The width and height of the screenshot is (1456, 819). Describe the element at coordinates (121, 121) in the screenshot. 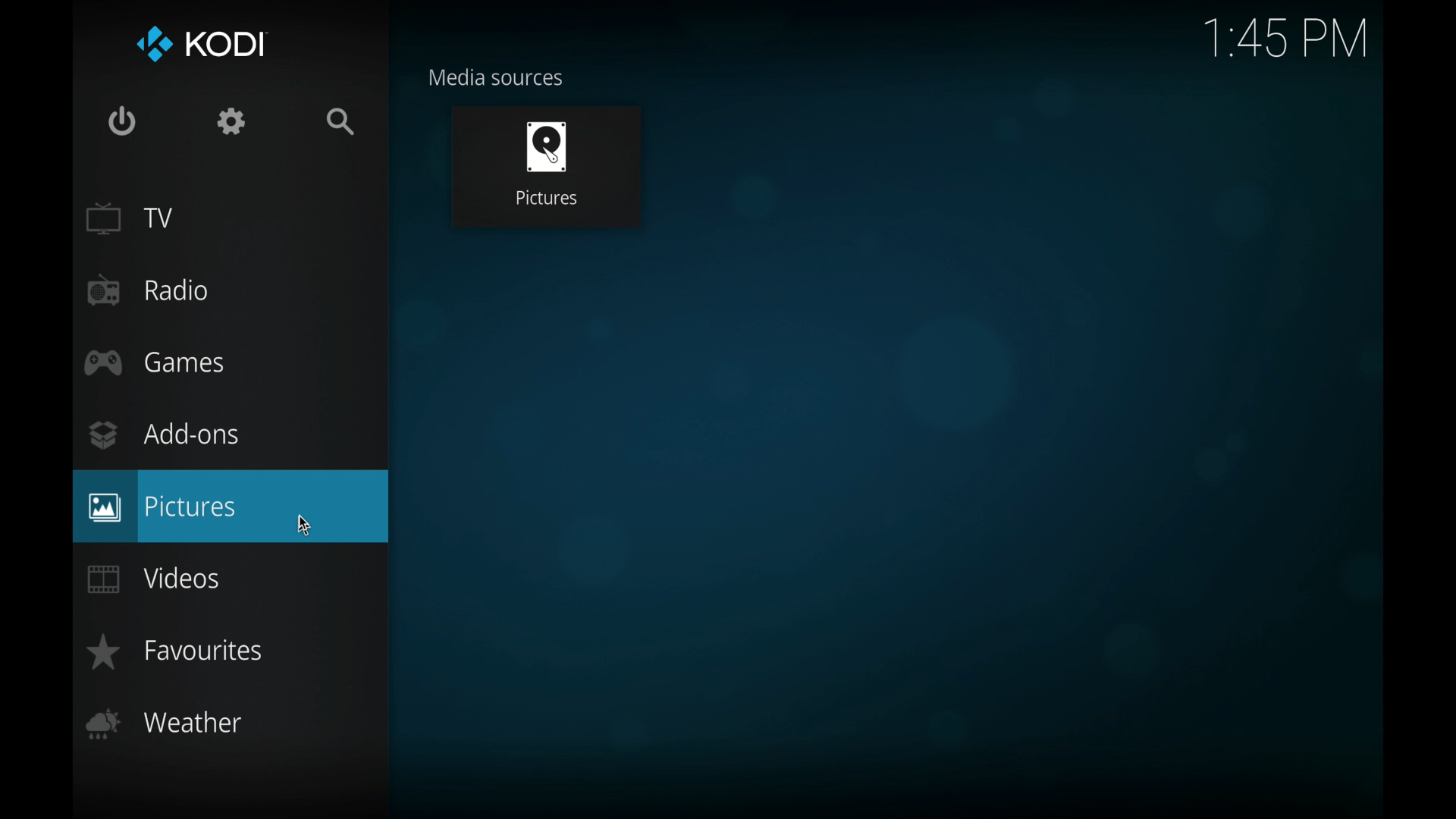

I see `quit kodi` at that location.